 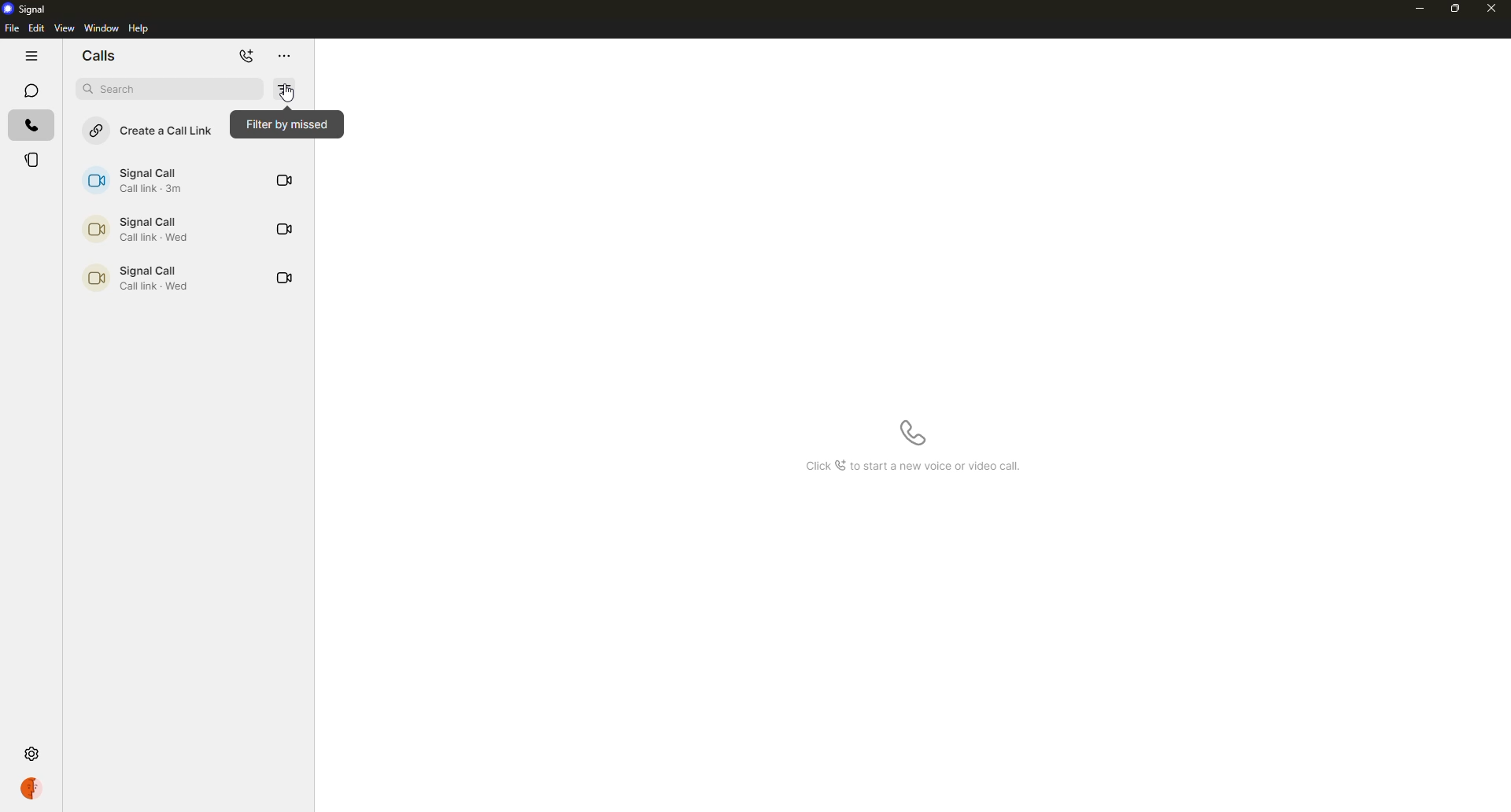 What do you see at coordinates (918, 467) in the screenshot?
I see `See what's new in this update` at bounding box center [918, 467].